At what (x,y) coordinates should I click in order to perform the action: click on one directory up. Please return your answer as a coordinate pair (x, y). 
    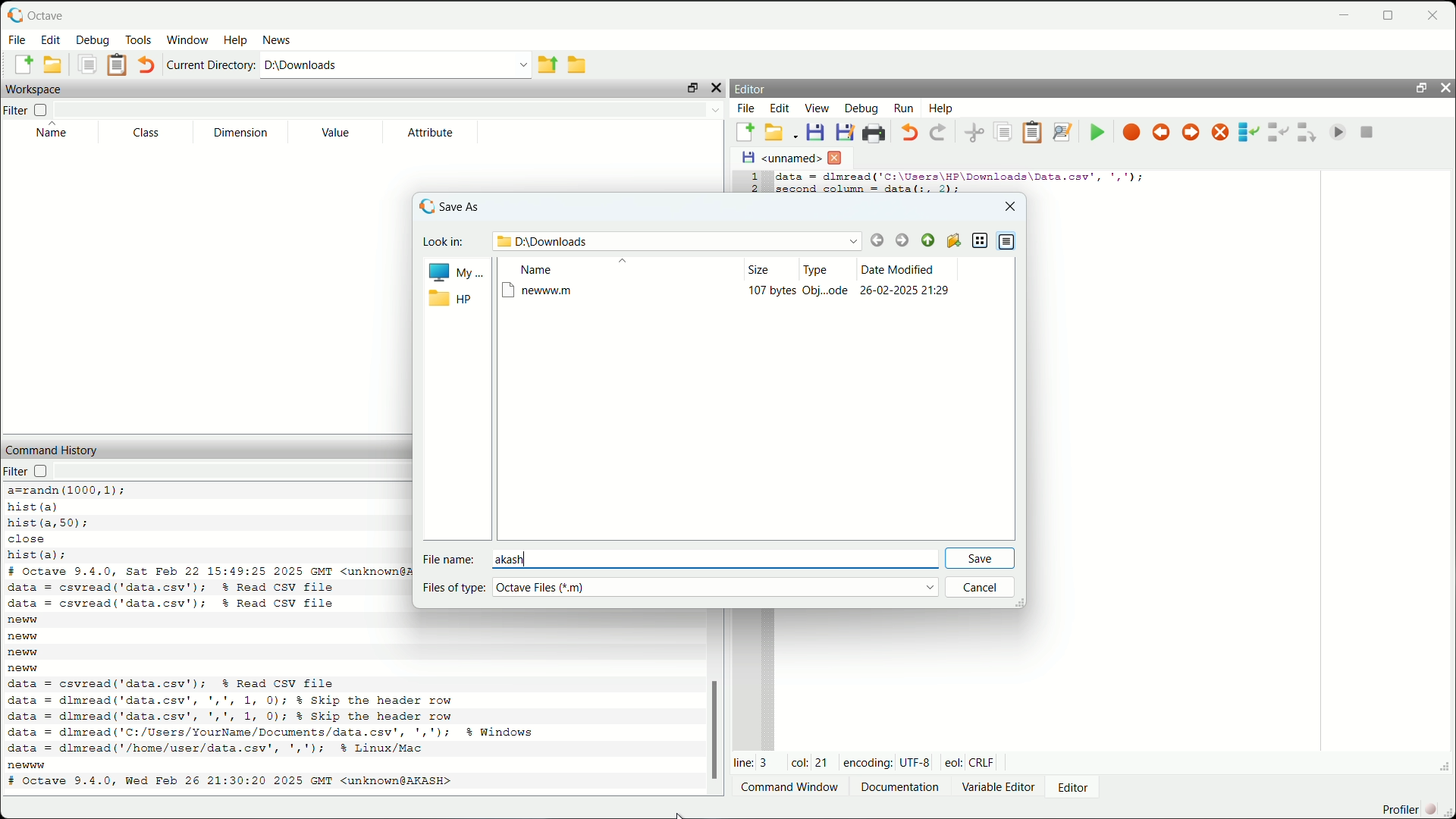
    Looking at the image, I should click on (546, 65).